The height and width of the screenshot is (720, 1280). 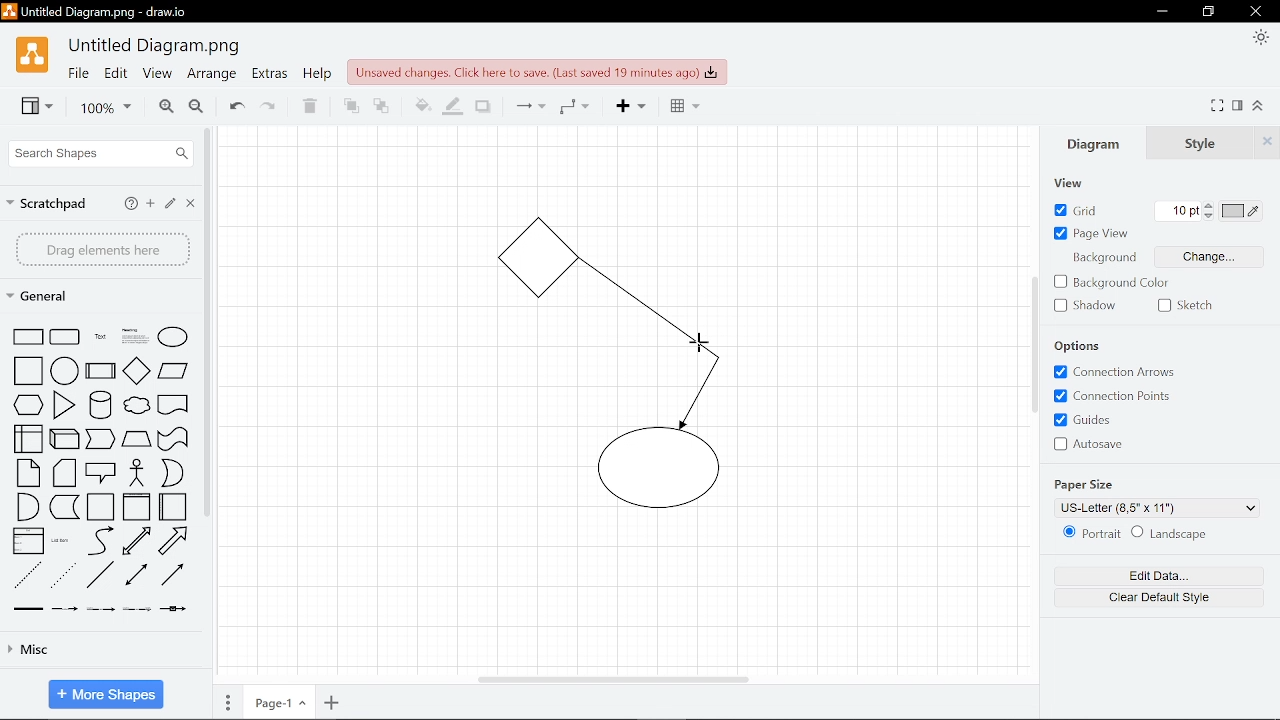 What do you see at coordinates (1240, 105) in the screenshot?
I see `Format` at bounding box center [1240, 105].